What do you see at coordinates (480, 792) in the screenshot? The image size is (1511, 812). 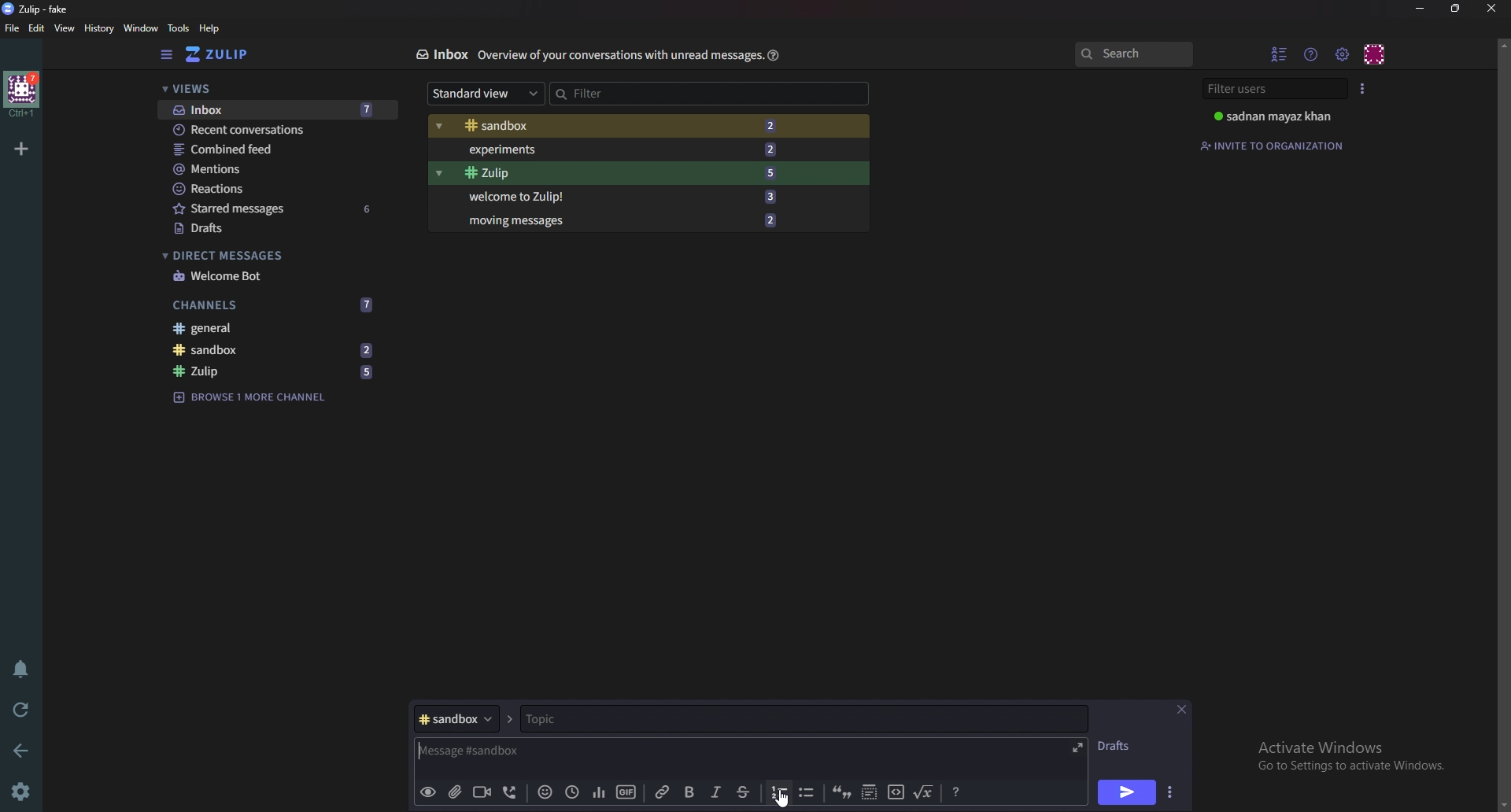 I see `Video call` at bounding box center [480, 792].